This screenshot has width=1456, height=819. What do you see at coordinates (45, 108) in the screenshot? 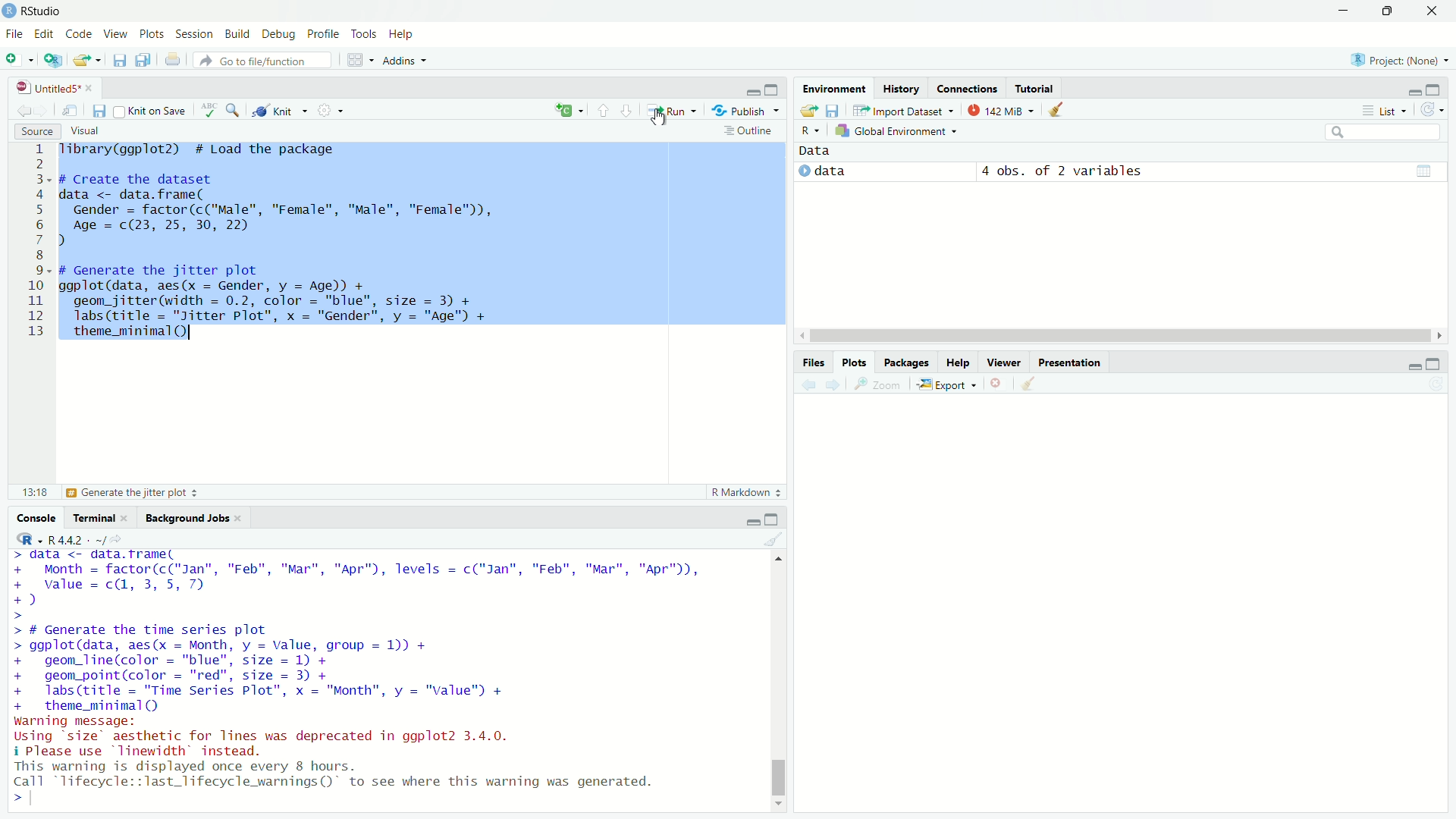
I see `go forward to next source location` at bounding box center [45, 108].